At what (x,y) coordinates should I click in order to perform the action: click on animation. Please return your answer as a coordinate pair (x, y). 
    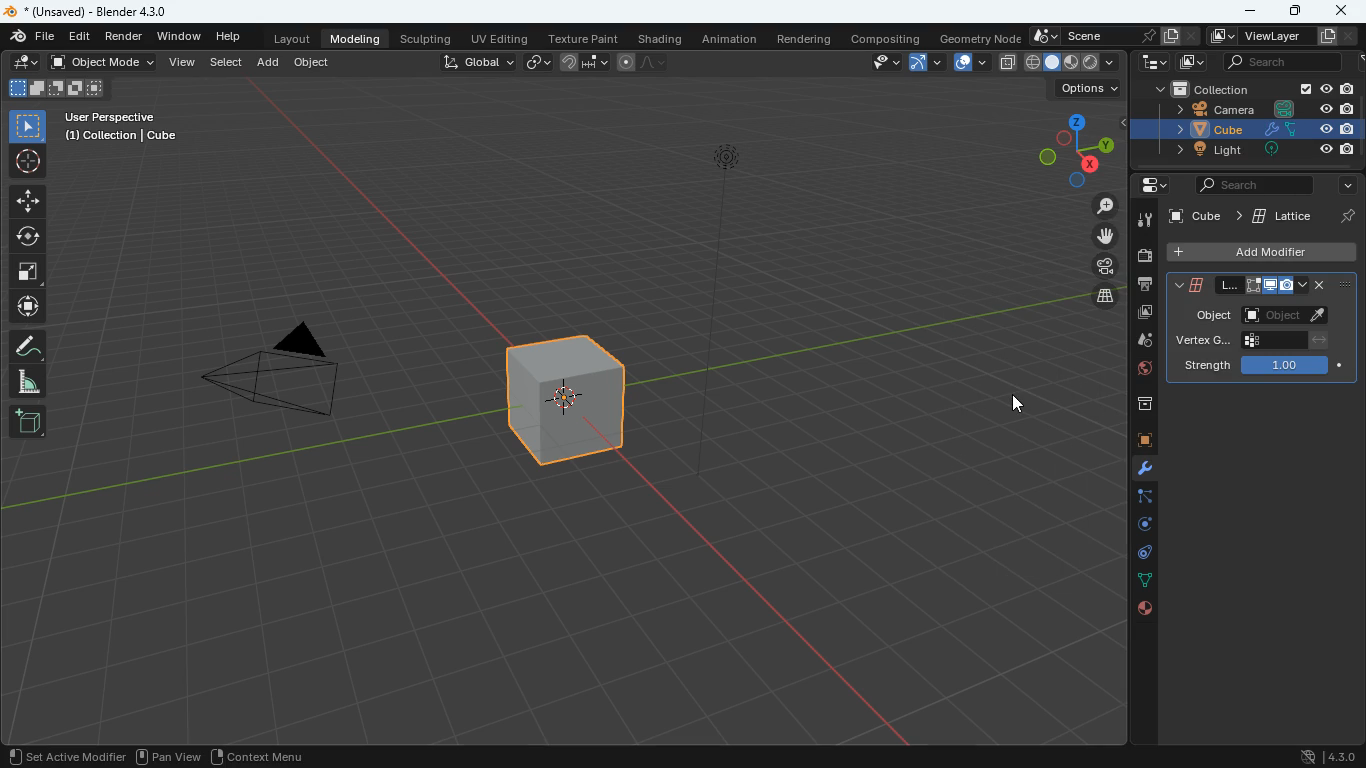
    Looking at the image, I should click on (728, 38).